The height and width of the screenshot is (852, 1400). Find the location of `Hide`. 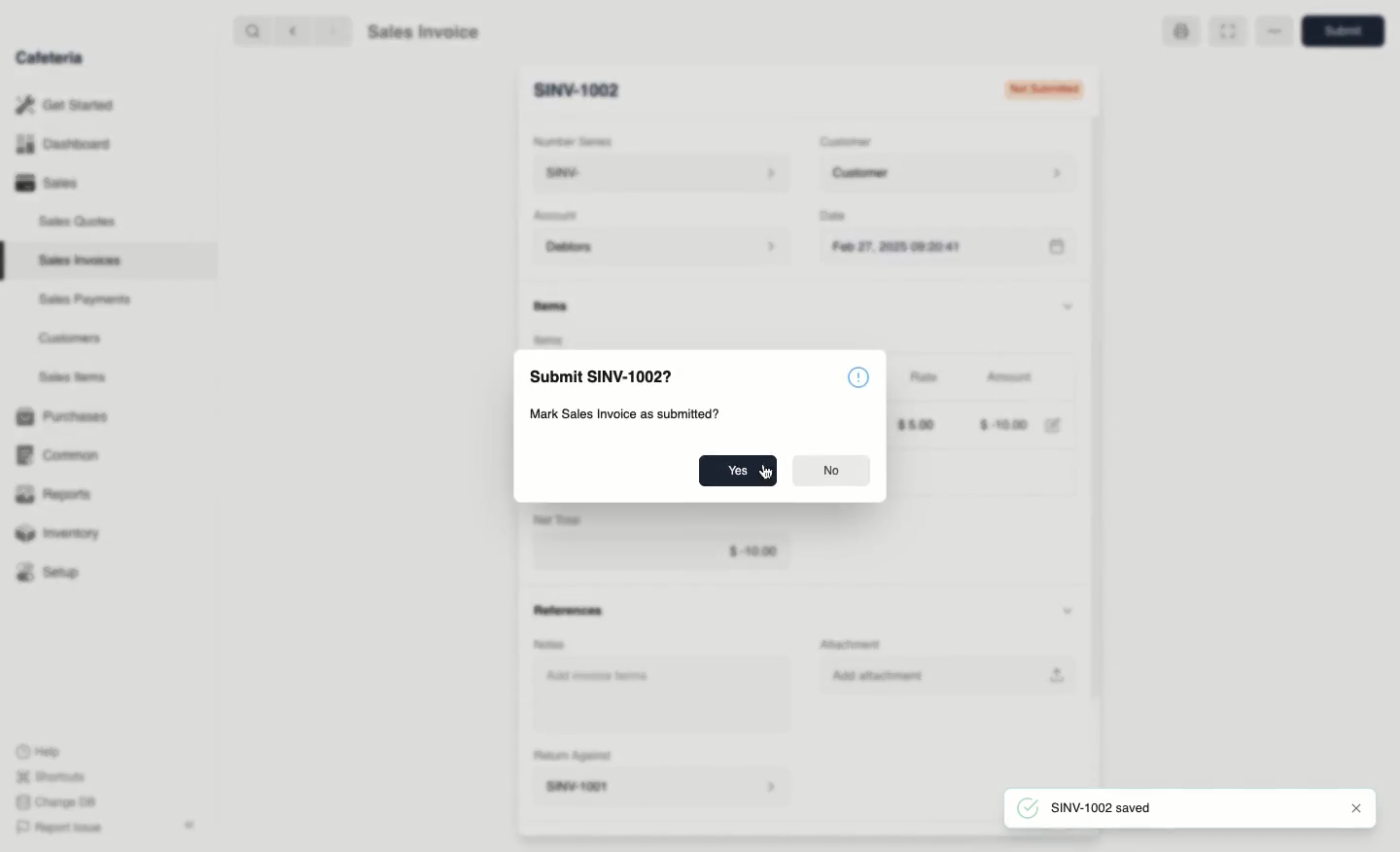

Hide is located at coordinates (1075, 303).